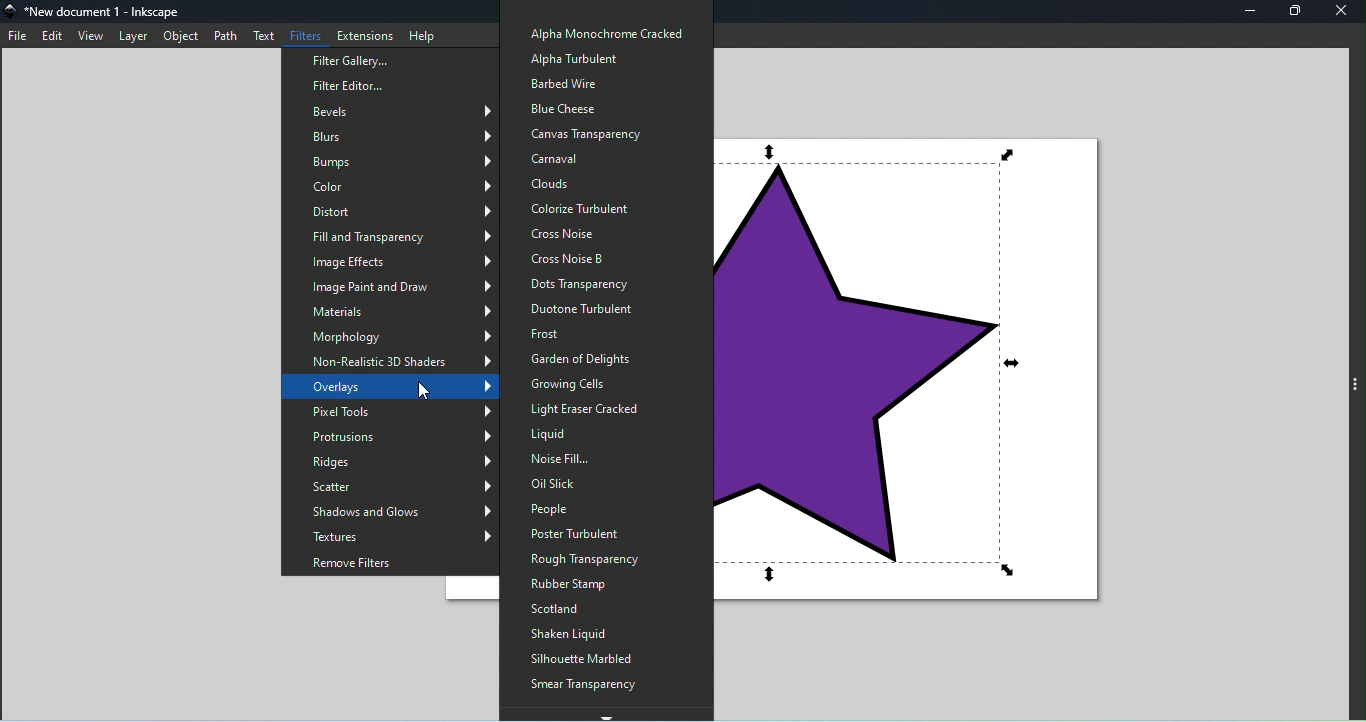 This screenshot has width=1366, height=722. I want to click on Carnaval, so click(597, 158).